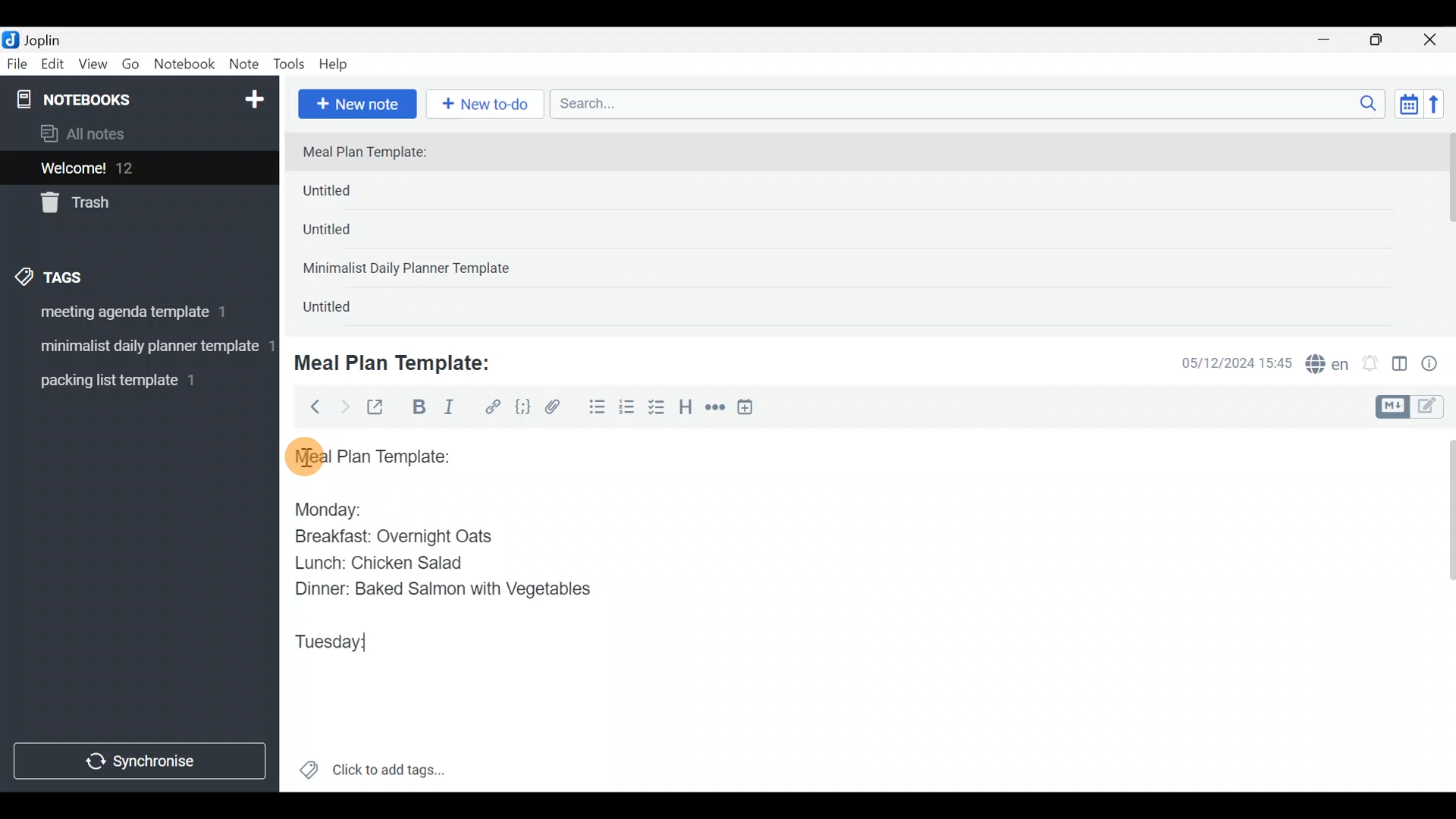 The image size is (1456, 819). I want to click on Joplin, so click(52, 38).